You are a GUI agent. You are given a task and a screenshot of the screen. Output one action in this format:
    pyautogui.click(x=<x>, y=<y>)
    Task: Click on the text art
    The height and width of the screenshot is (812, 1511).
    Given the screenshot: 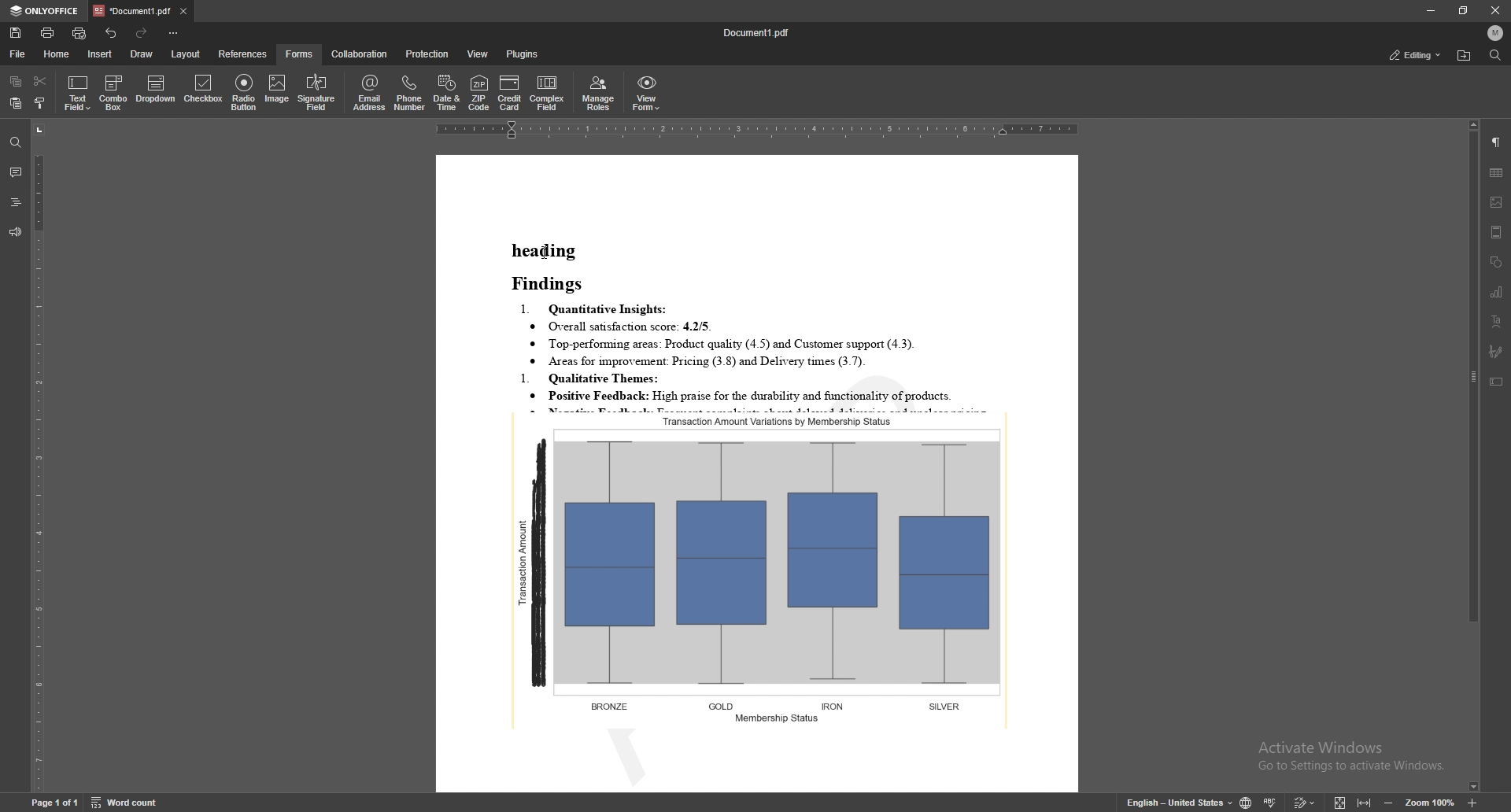 What is the action you would take?
    pyautogui.click(x=1496, y=322)
    